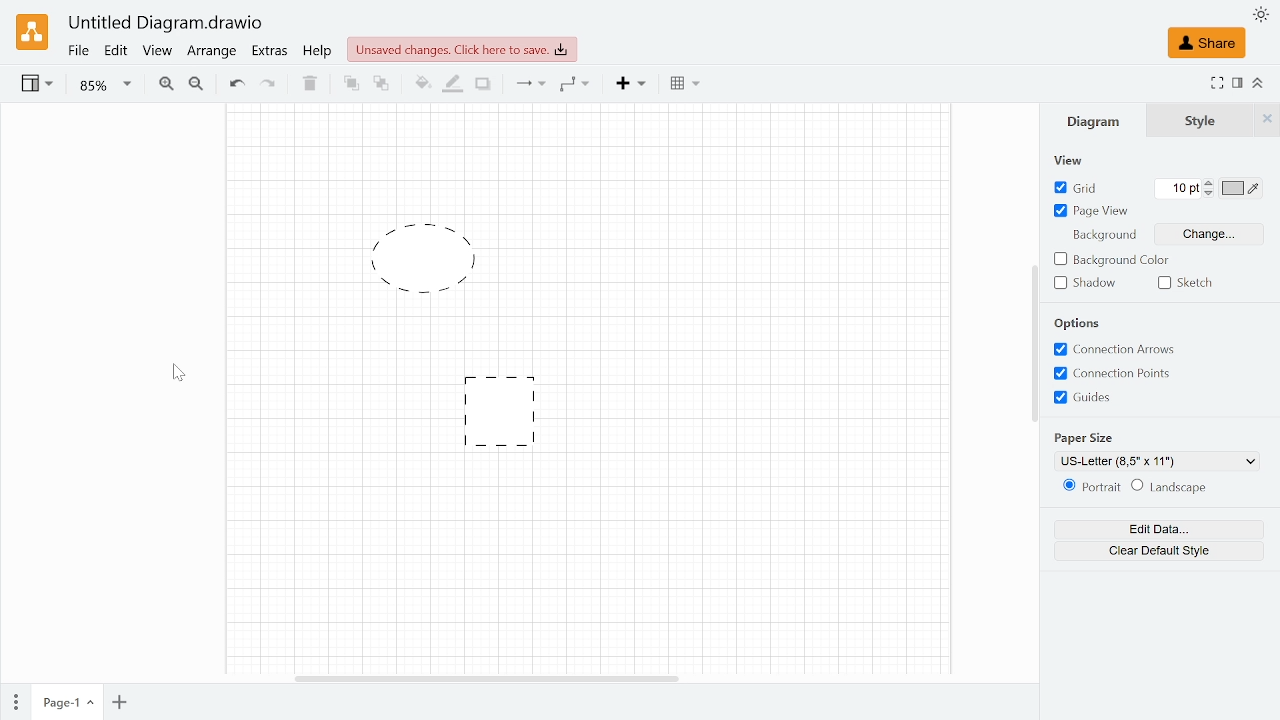 Image resolution: width=1280 pixels, height=720 pixels. What do you see at coordinates (119, 704) in the screenshot?
I see `Add oage` at bounding box center [119, 704].